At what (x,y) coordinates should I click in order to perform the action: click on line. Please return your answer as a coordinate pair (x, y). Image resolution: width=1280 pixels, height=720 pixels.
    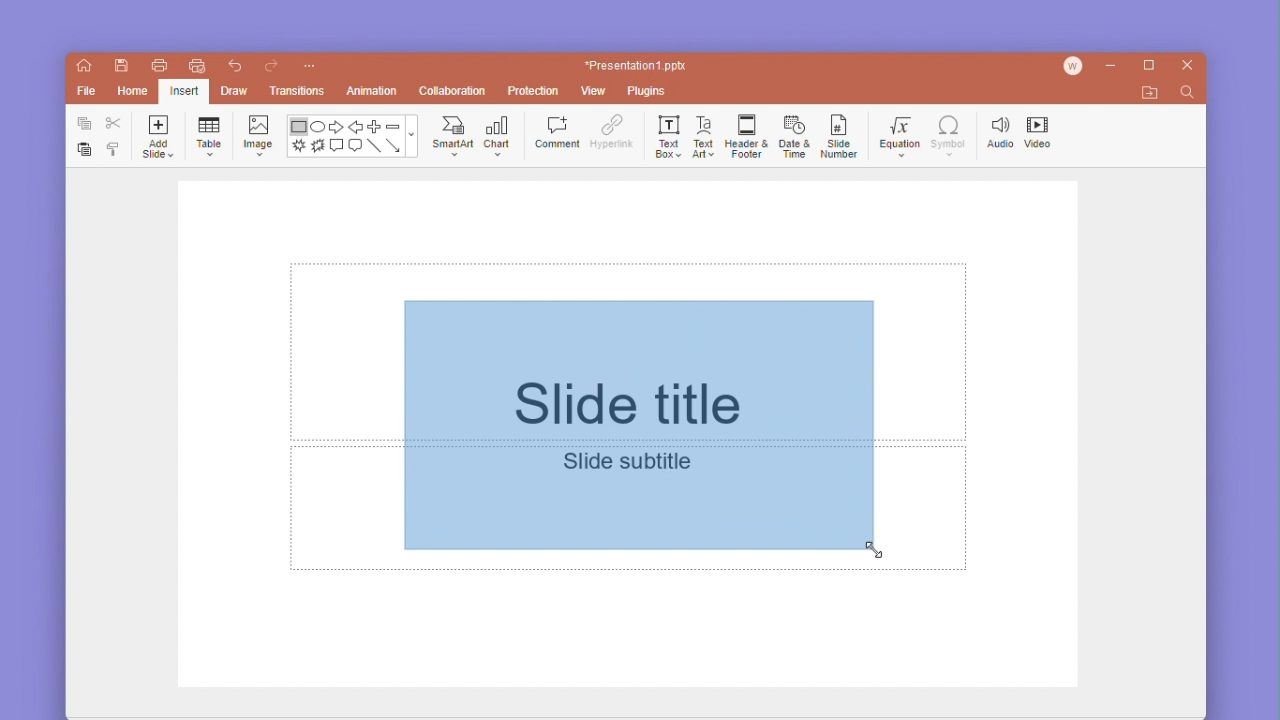
    Looking at the image, I should click on (374, 147).